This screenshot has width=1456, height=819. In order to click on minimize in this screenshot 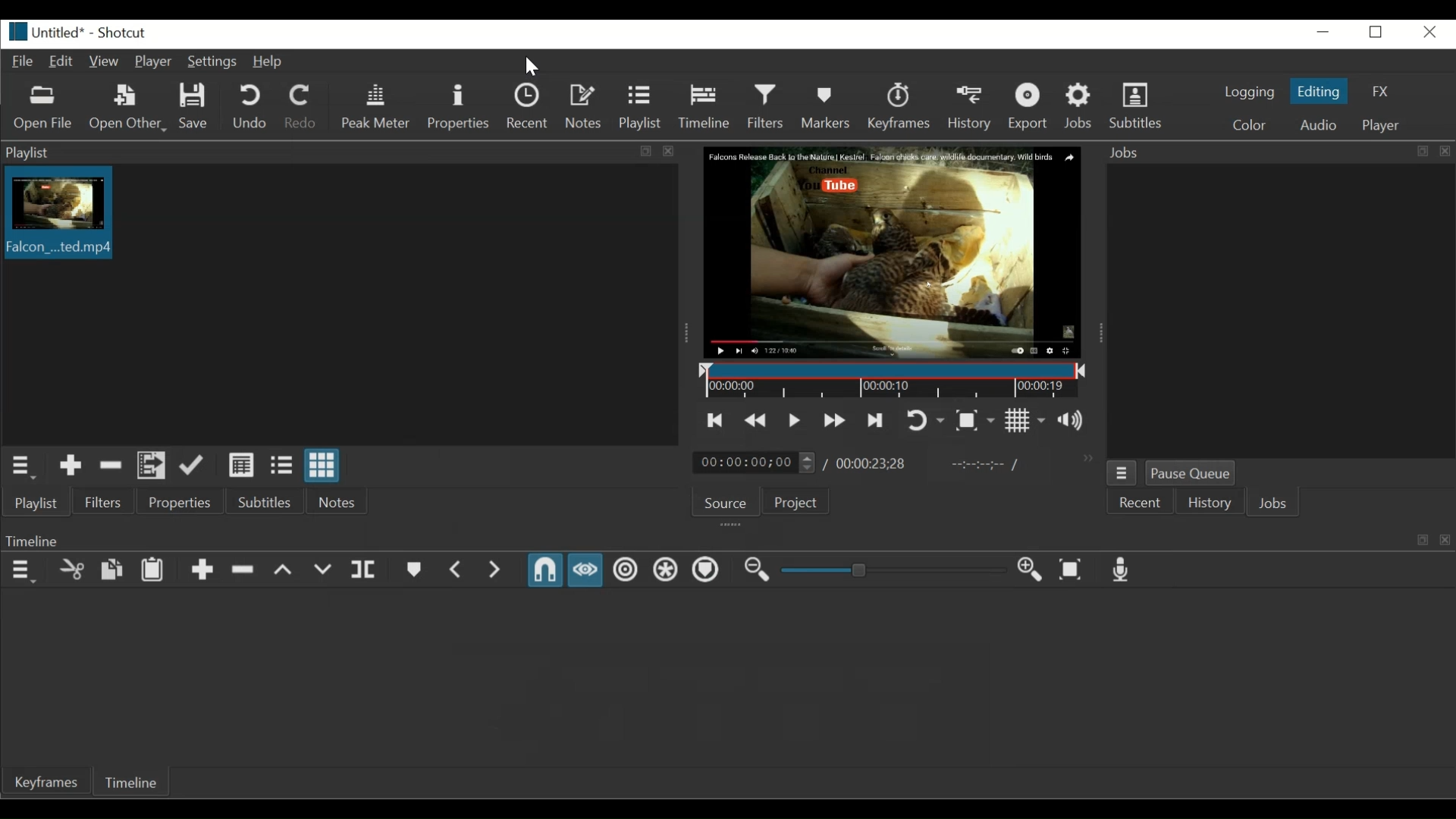, I will do `click(1326, 33)`.